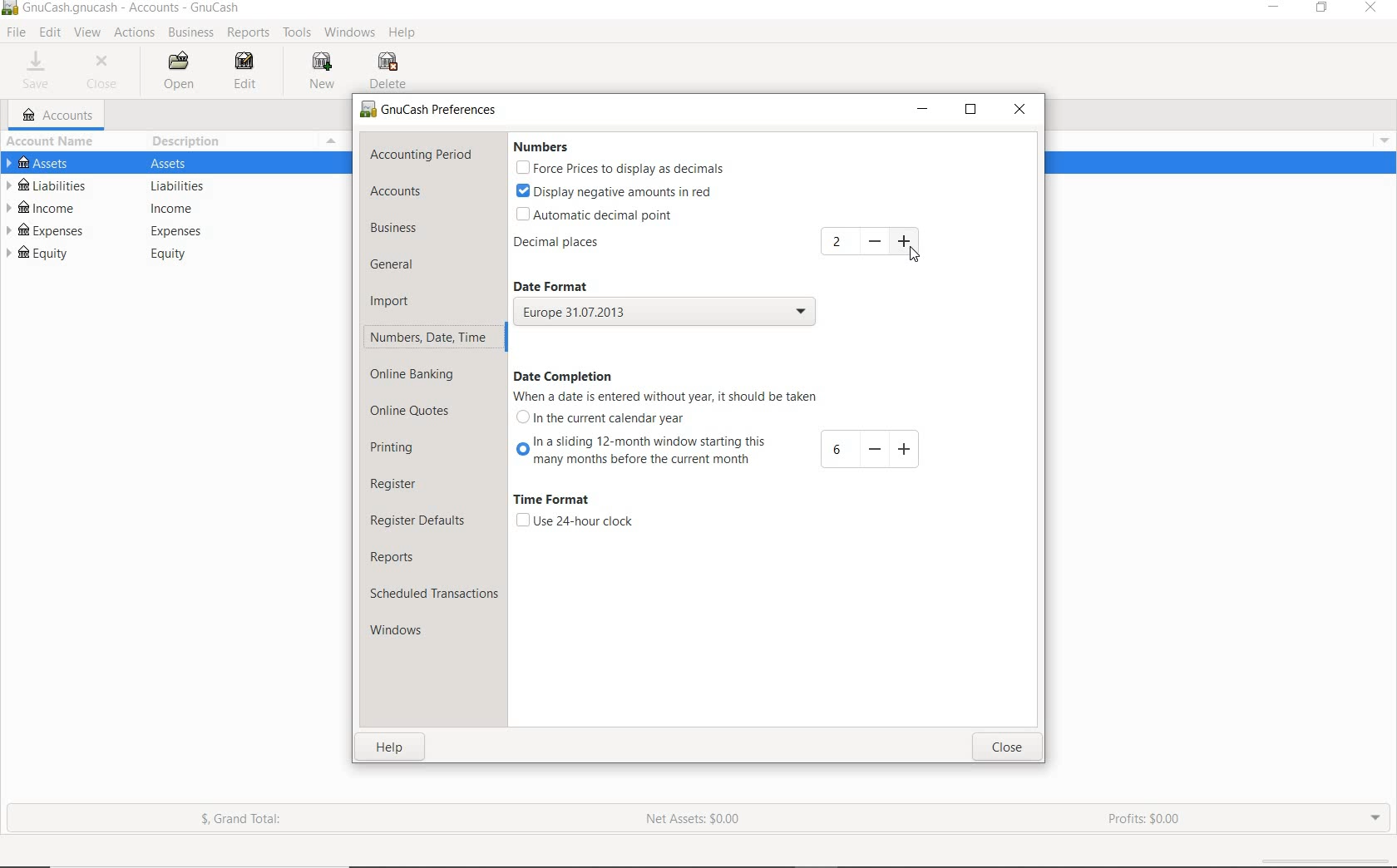 This screenshot has width=1397, height=868. Describe the element at coordinates (433, 593) in the screenshot. I see `scheduled transactions` at that location.